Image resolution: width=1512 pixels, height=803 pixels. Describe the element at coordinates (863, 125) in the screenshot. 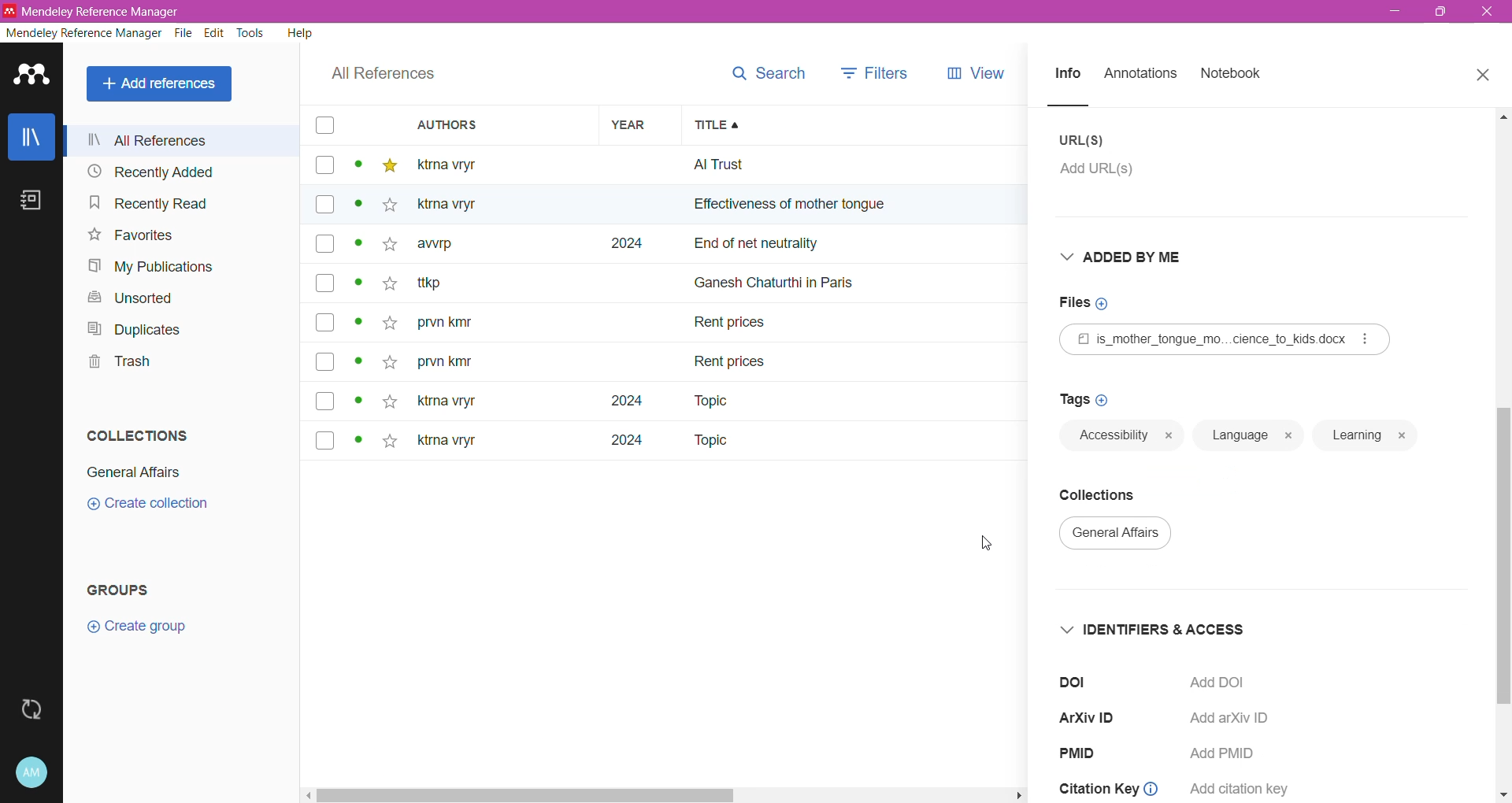

I see `Title` at that location.